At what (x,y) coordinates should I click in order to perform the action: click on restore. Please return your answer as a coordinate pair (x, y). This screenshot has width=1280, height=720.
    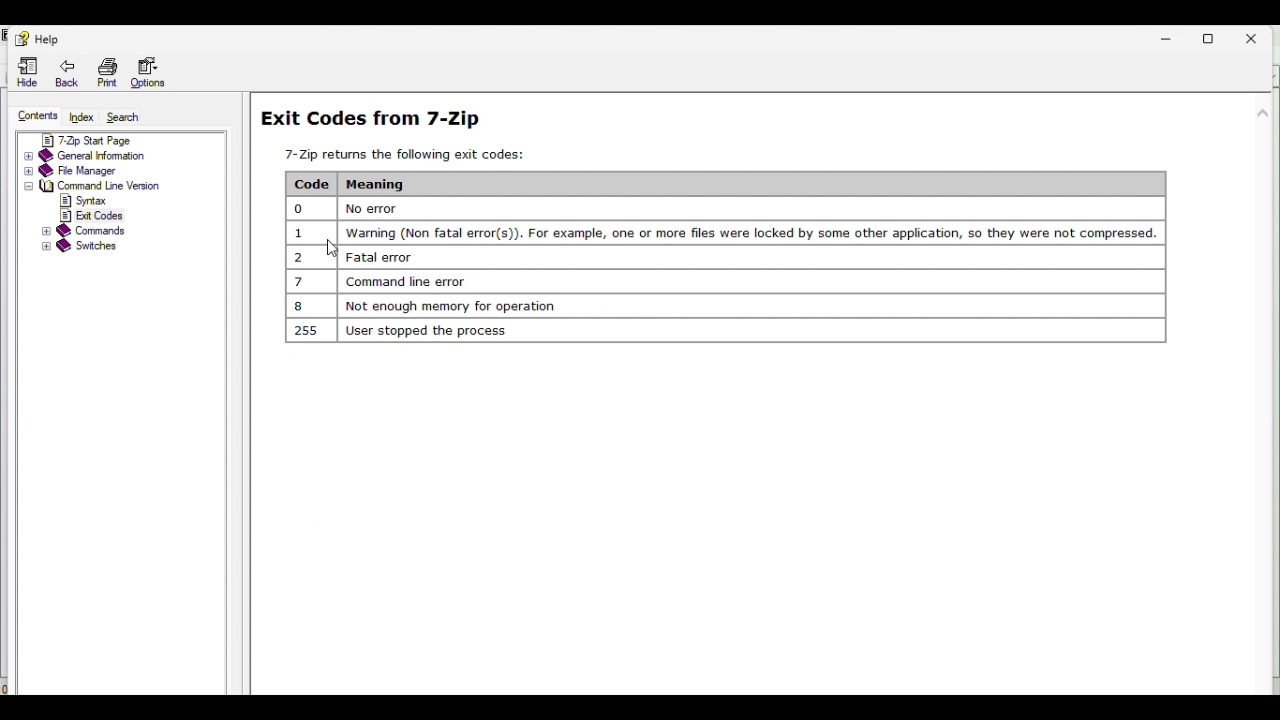
    Looking at the image, I should click on (1218, 35).